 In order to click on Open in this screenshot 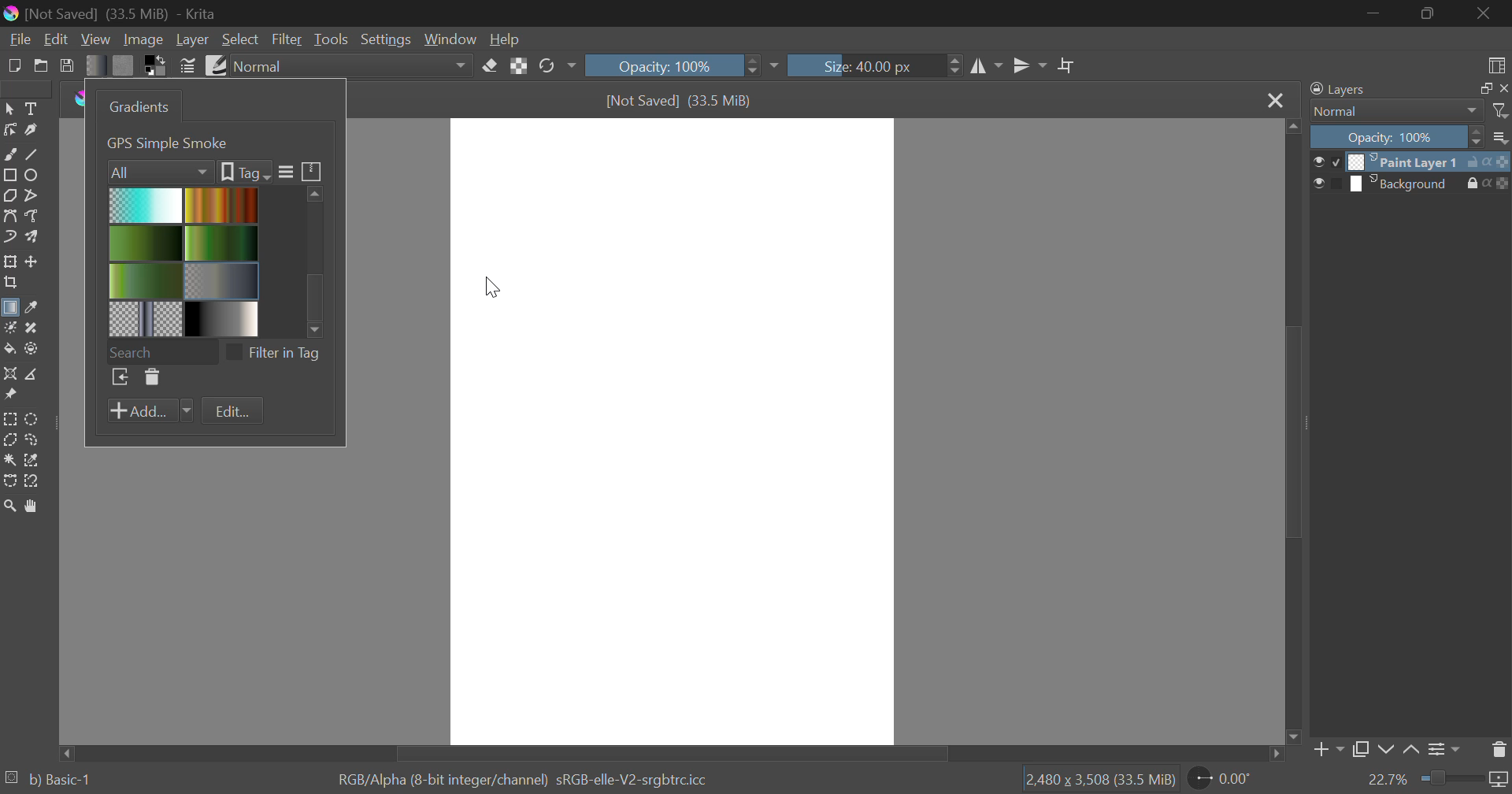, I will do `click(41, 65)`.